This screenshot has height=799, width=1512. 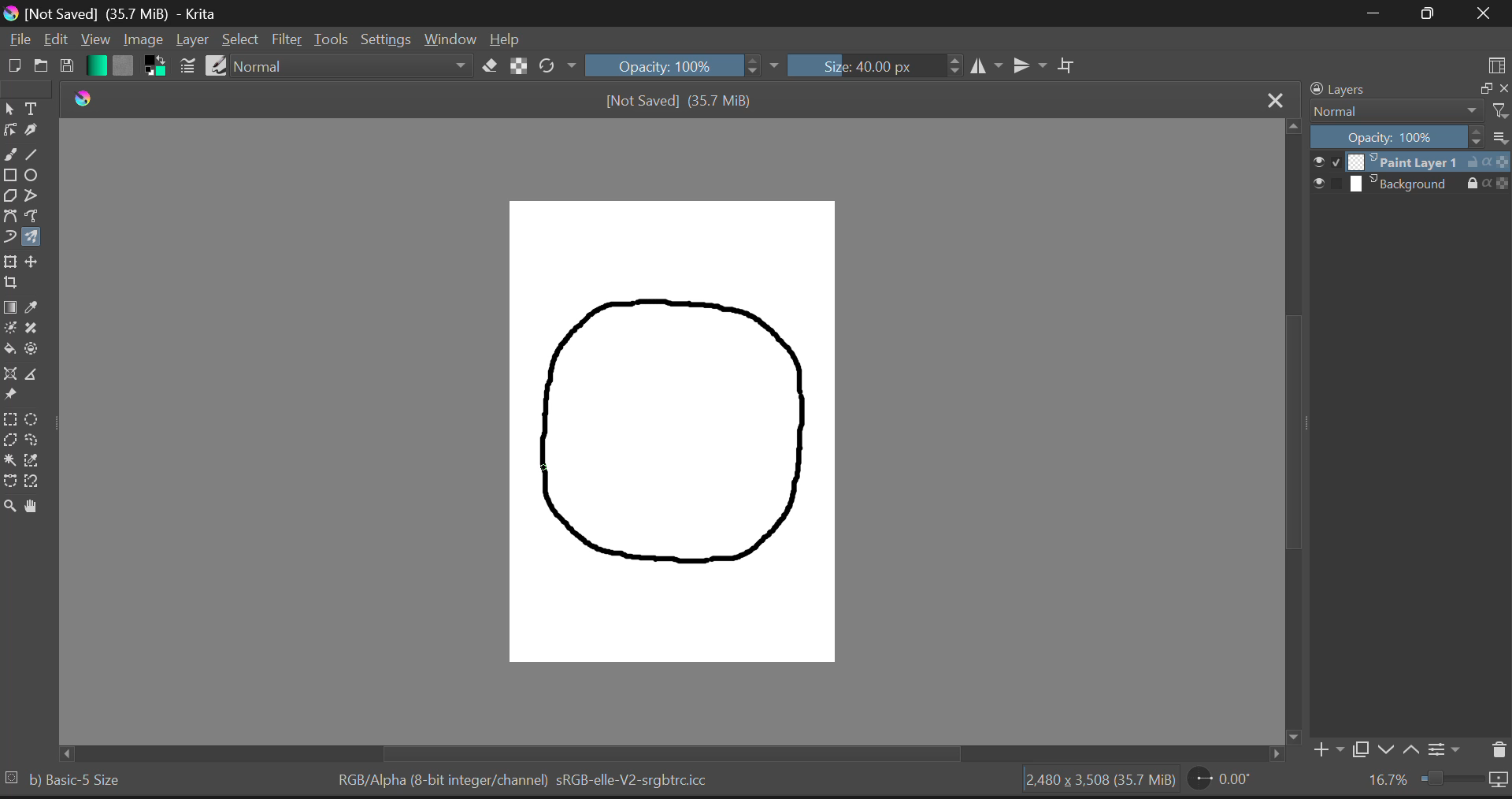 What do you see at coordinates (34, 214) in the screenshot?
I see `Freehand Path Tool` at bounding box center [34, 214].